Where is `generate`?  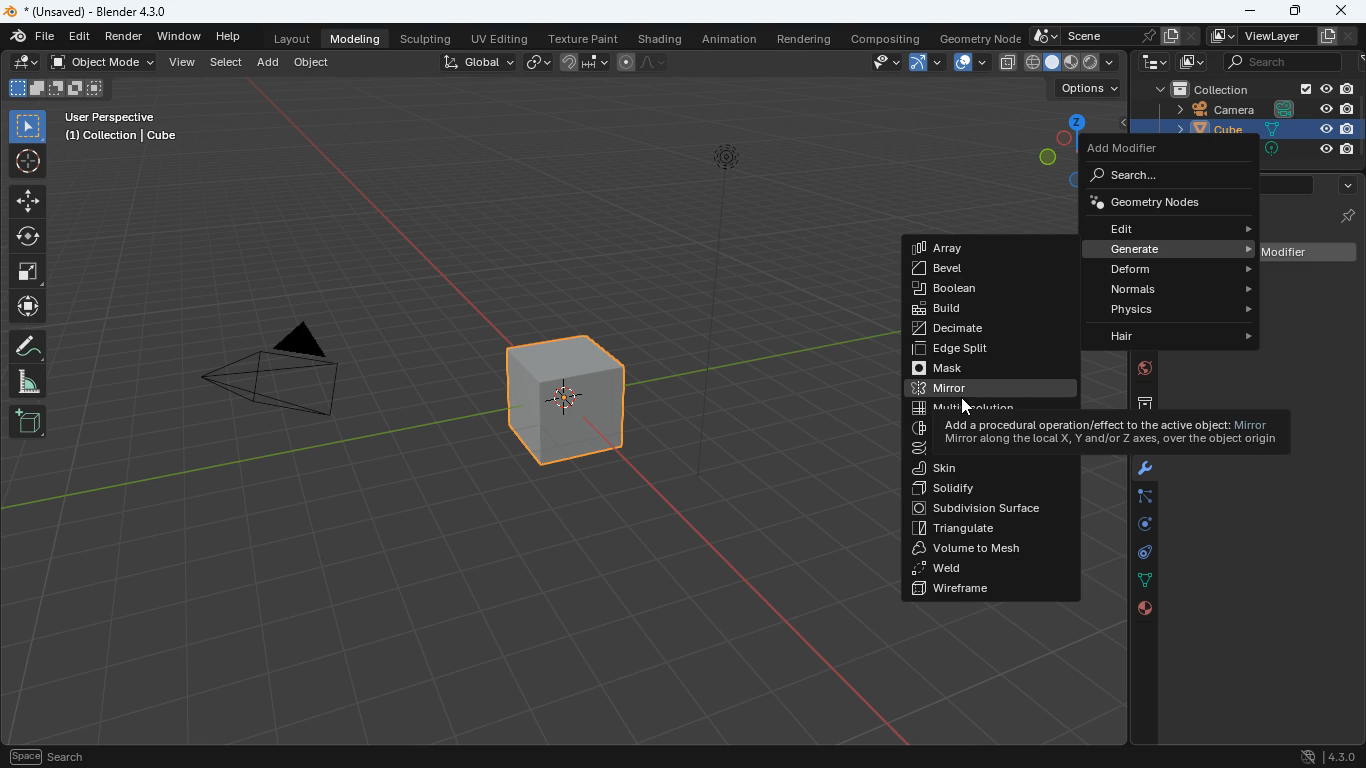
generate is located at coordinates (1174, 249).